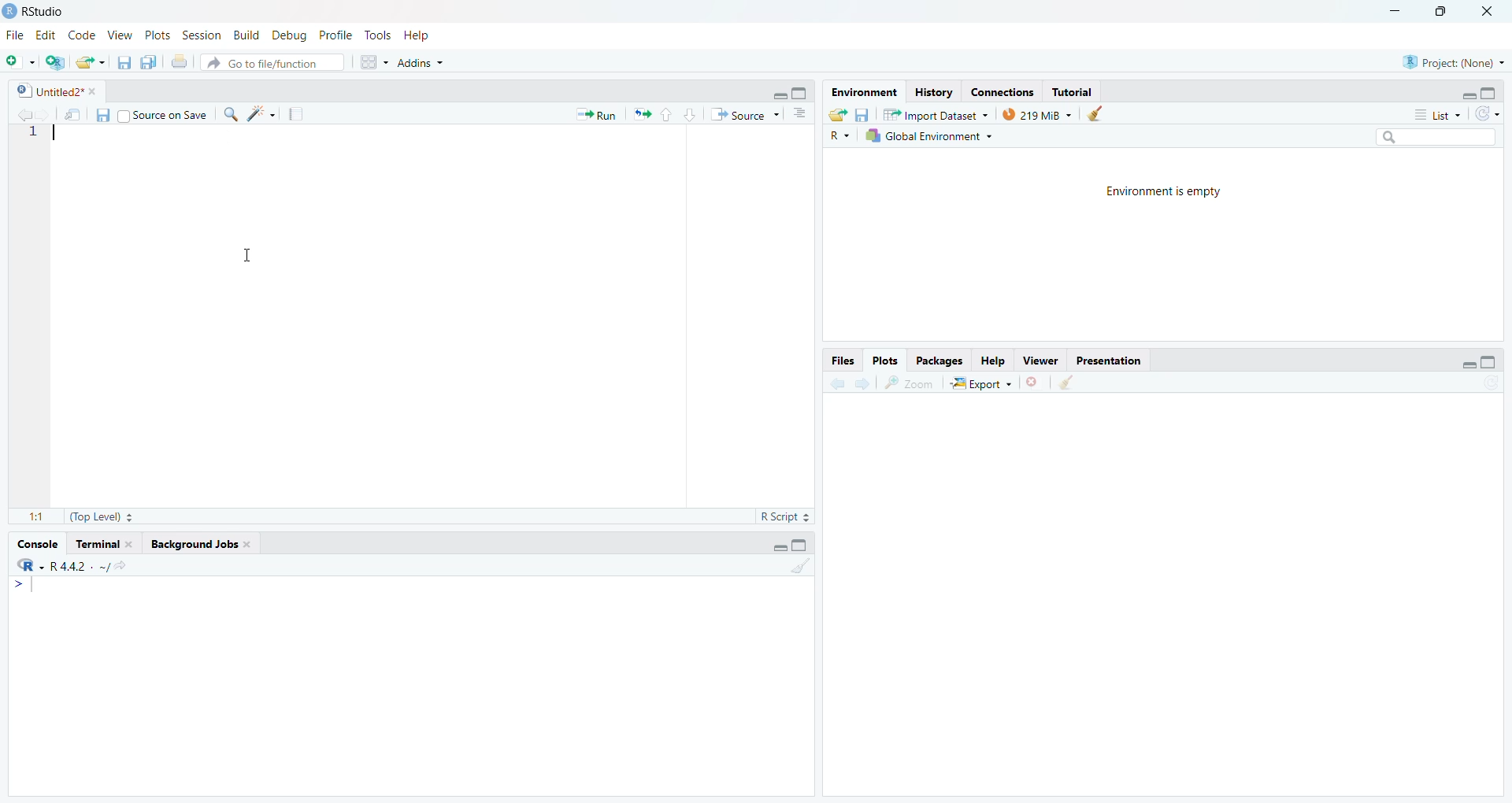 Image resolution: width=1512 pixels, height=803 pixels. What do you see at coordinates (421, 63) in the screenshot?
I see `Addins ~` at bounding box center [421, 63].